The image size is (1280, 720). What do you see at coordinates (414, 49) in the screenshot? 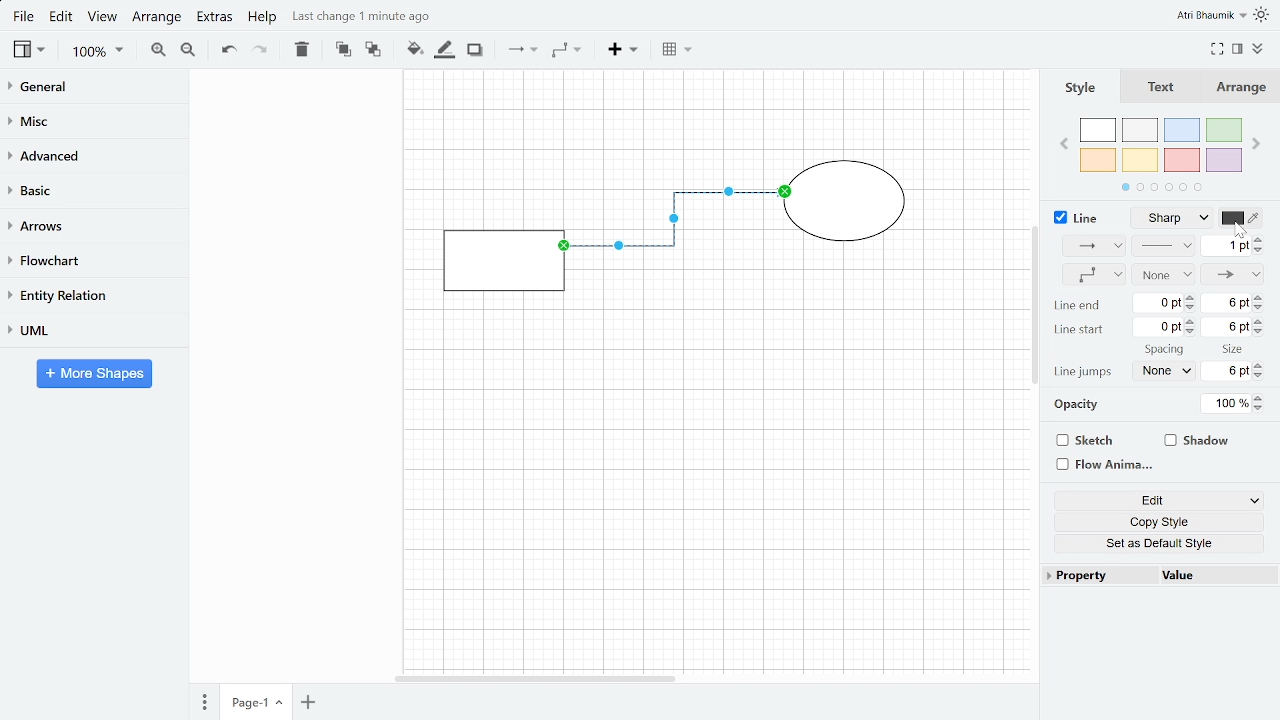
I see `Fill color` at bounding box center [414, 49].